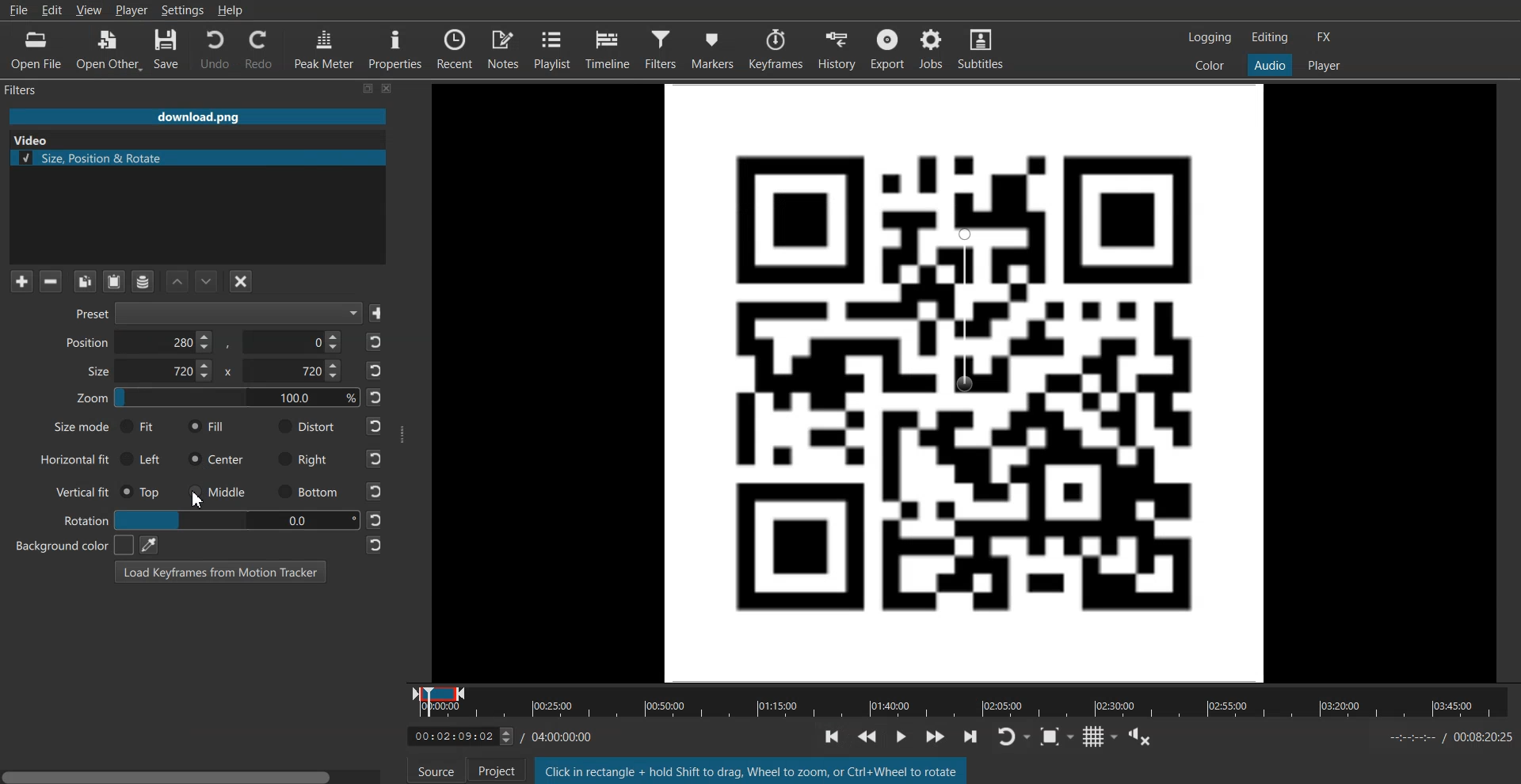 This screenshot has width=1521, height=784. Describe the element at coordinates (1104, 739) in the screenshot. I see `Toggle grid display on the player` at that location.